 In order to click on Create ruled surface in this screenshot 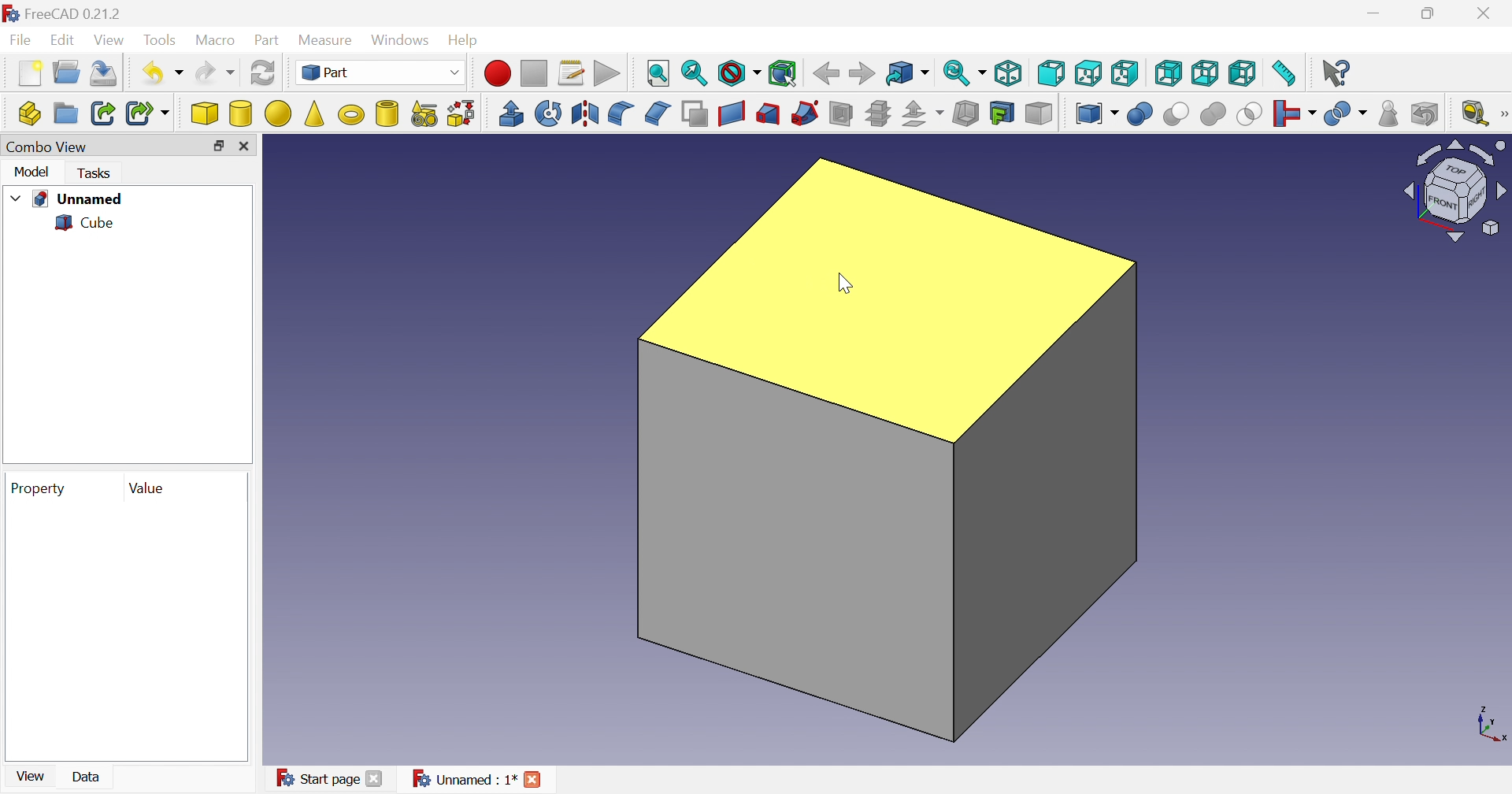, I will do `click(732, 114)`.